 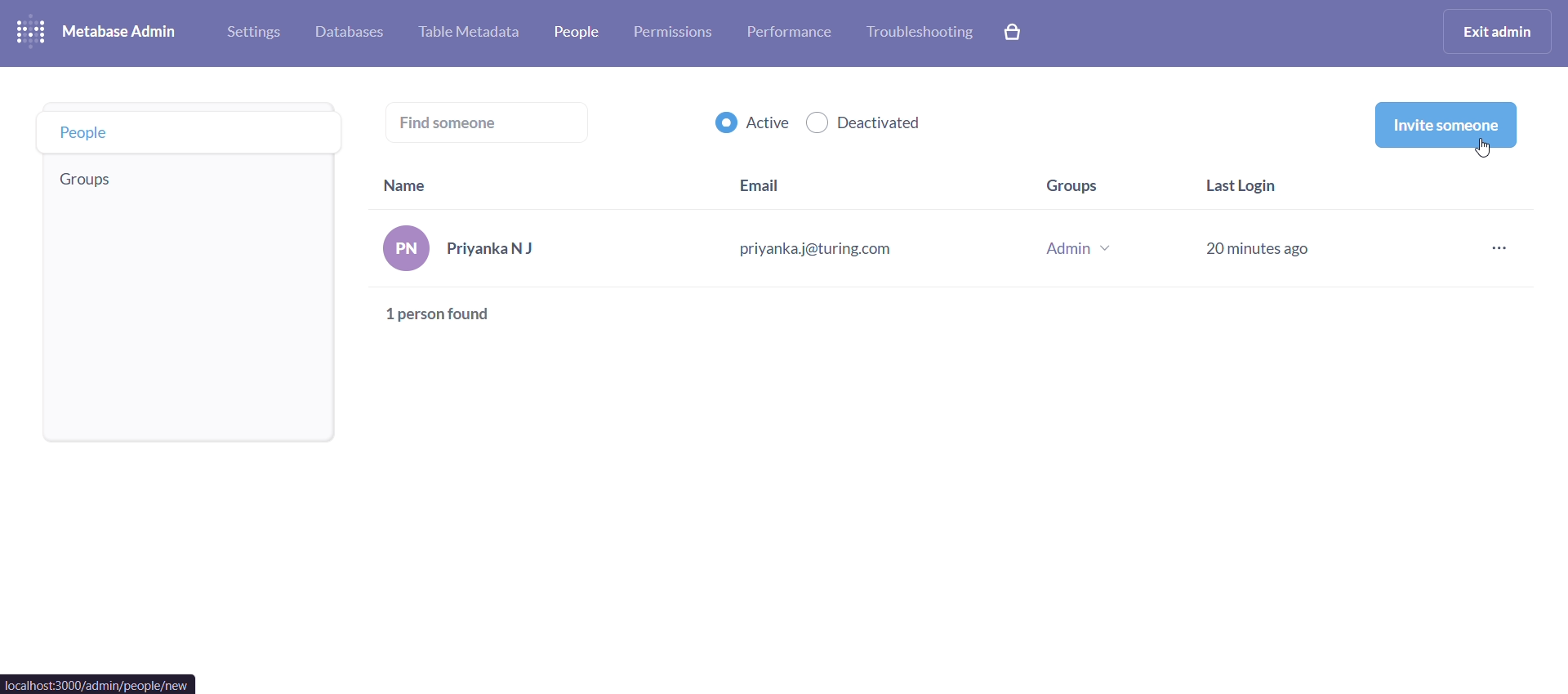 I want to click on settings, so click(x=252, y=31).